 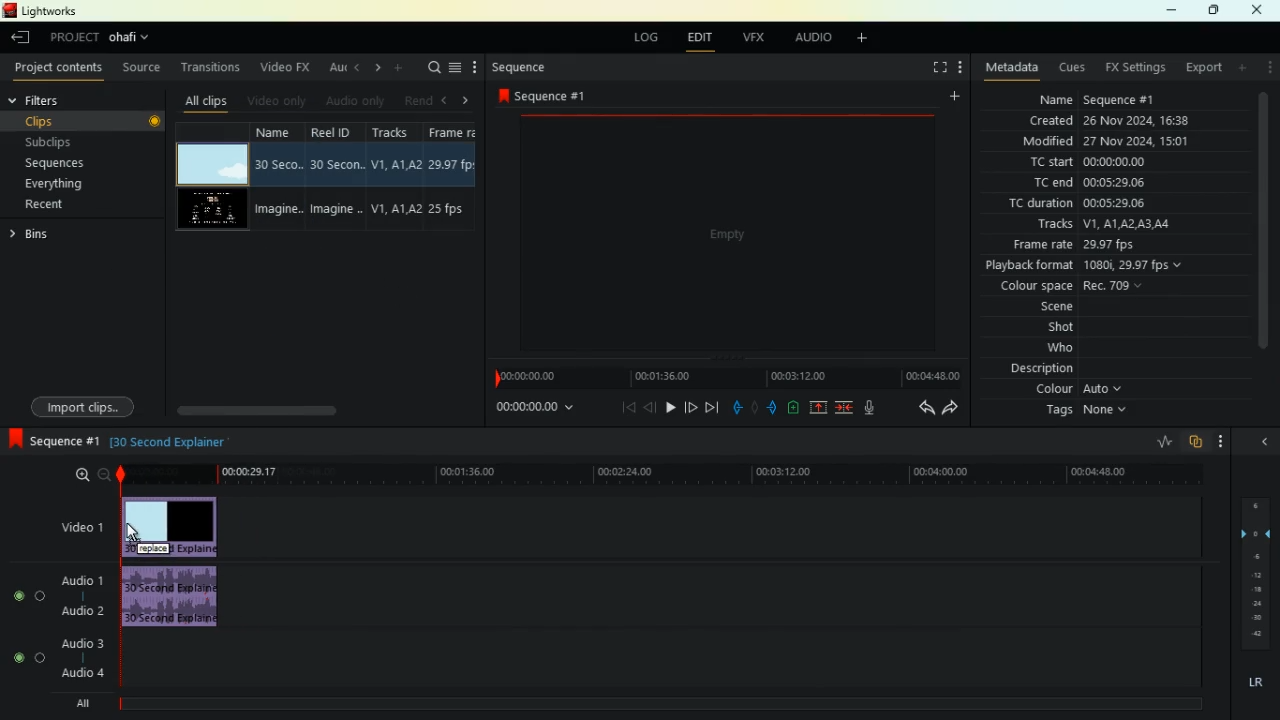 What do you see at coordinates (1069, 69) in the screenshot?
I see `cues` at bounding box center [1069, 69].